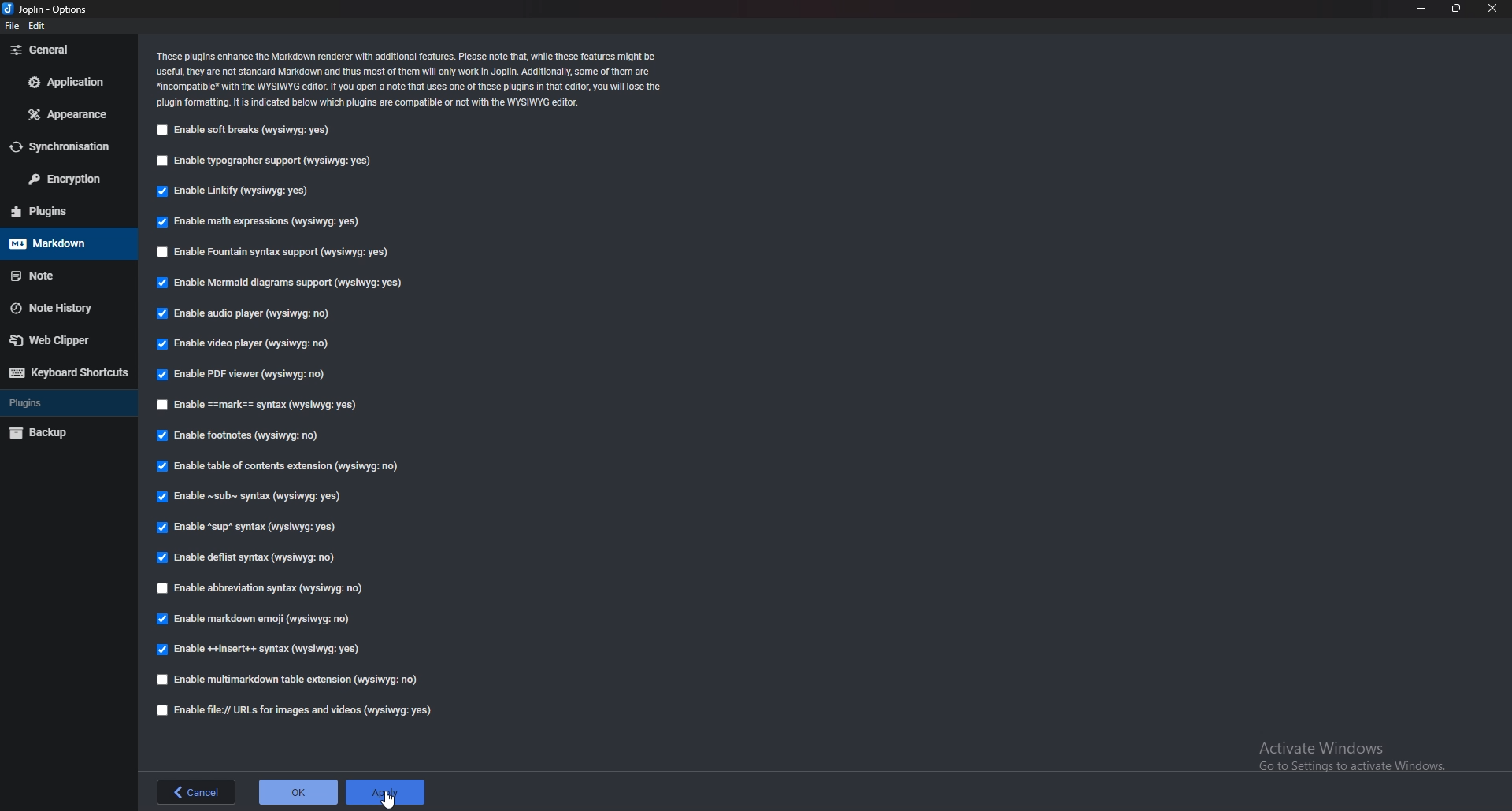  Describe the element at coordinates (52, 10) in the screenshot. I see `options` at that location.